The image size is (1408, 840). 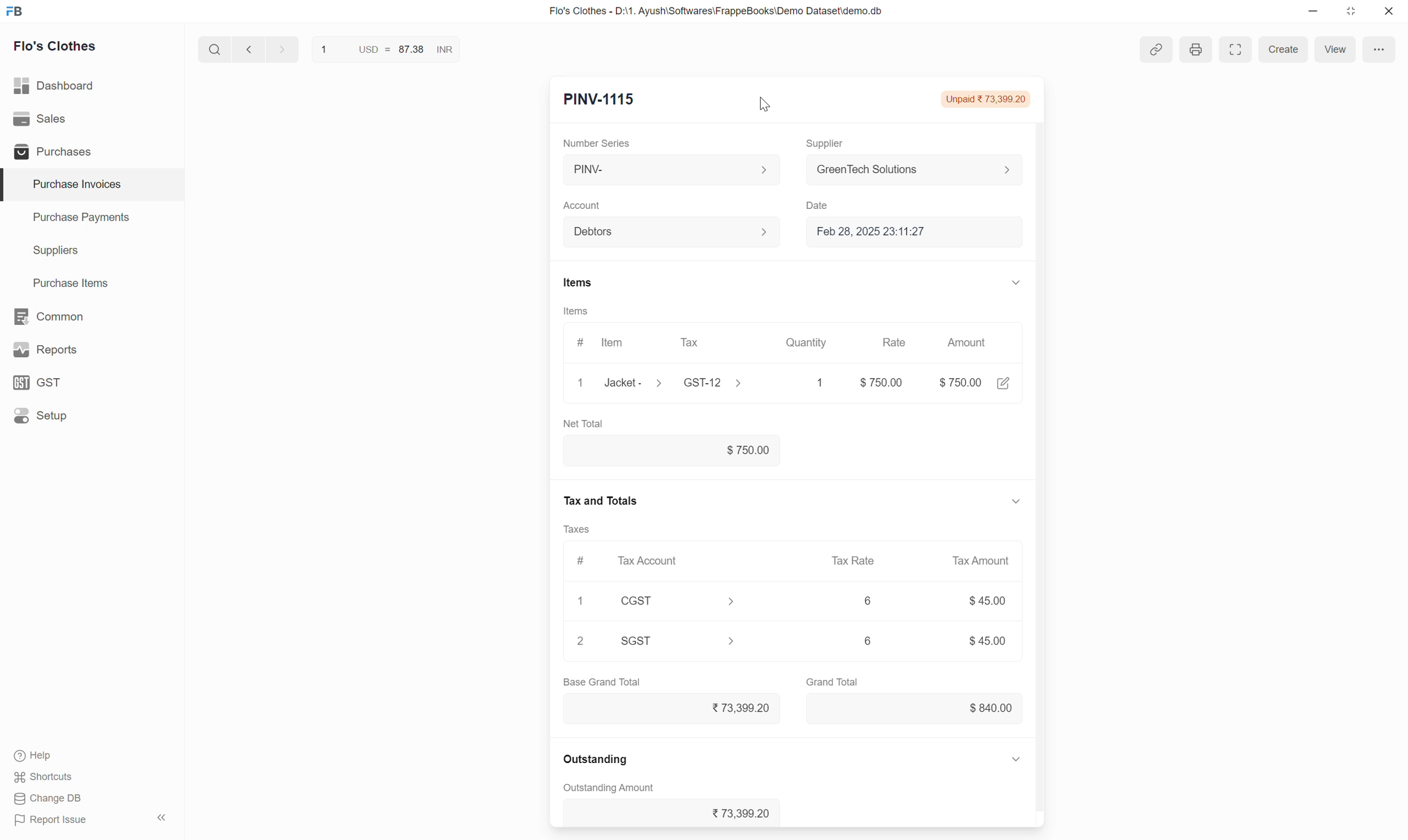 What do you see at coordinates (162, 817) in the screenshot?
I see `Collapse` at bounding box center [162, 817].